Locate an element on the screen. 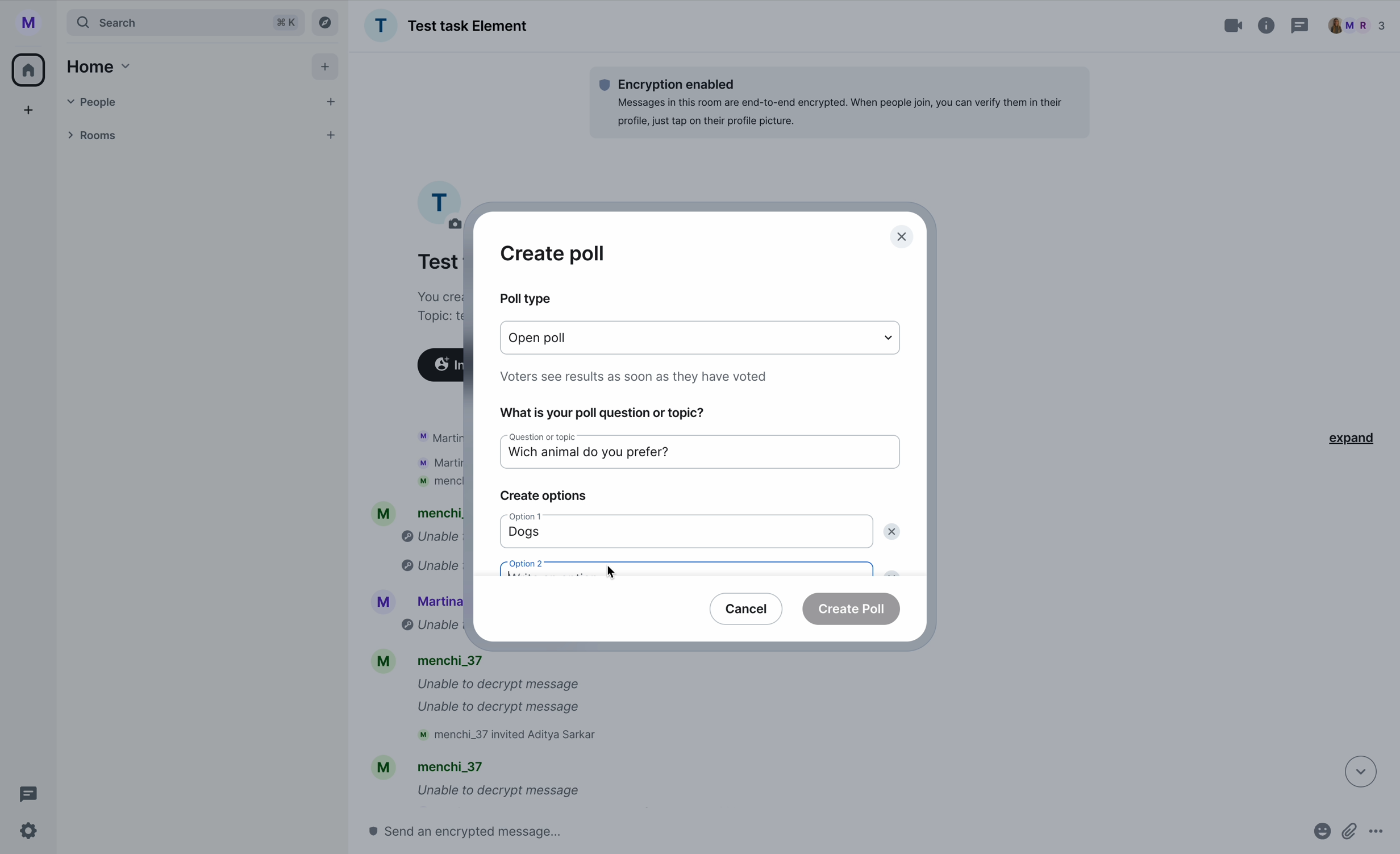  video call is located at coordinates (1235, 26).